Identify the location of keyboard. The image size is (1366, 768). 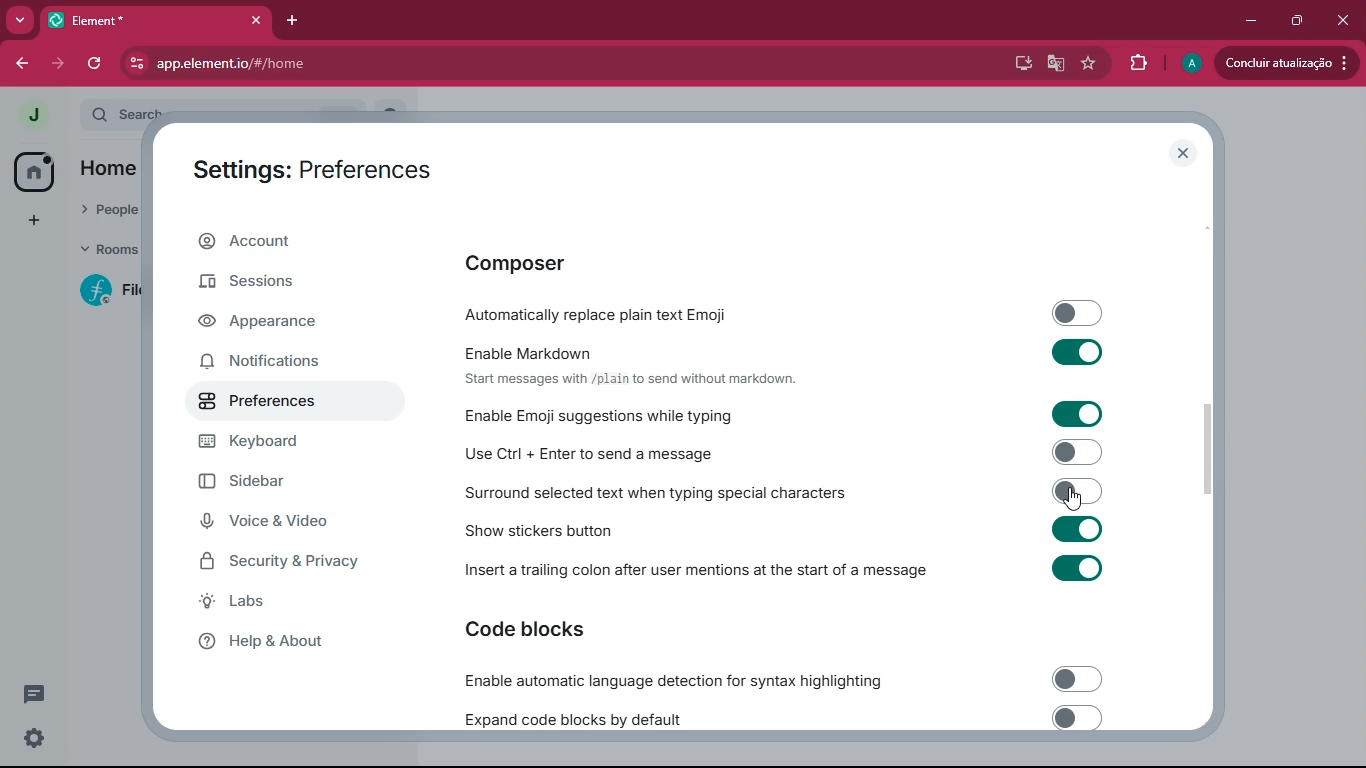
(271, 442).